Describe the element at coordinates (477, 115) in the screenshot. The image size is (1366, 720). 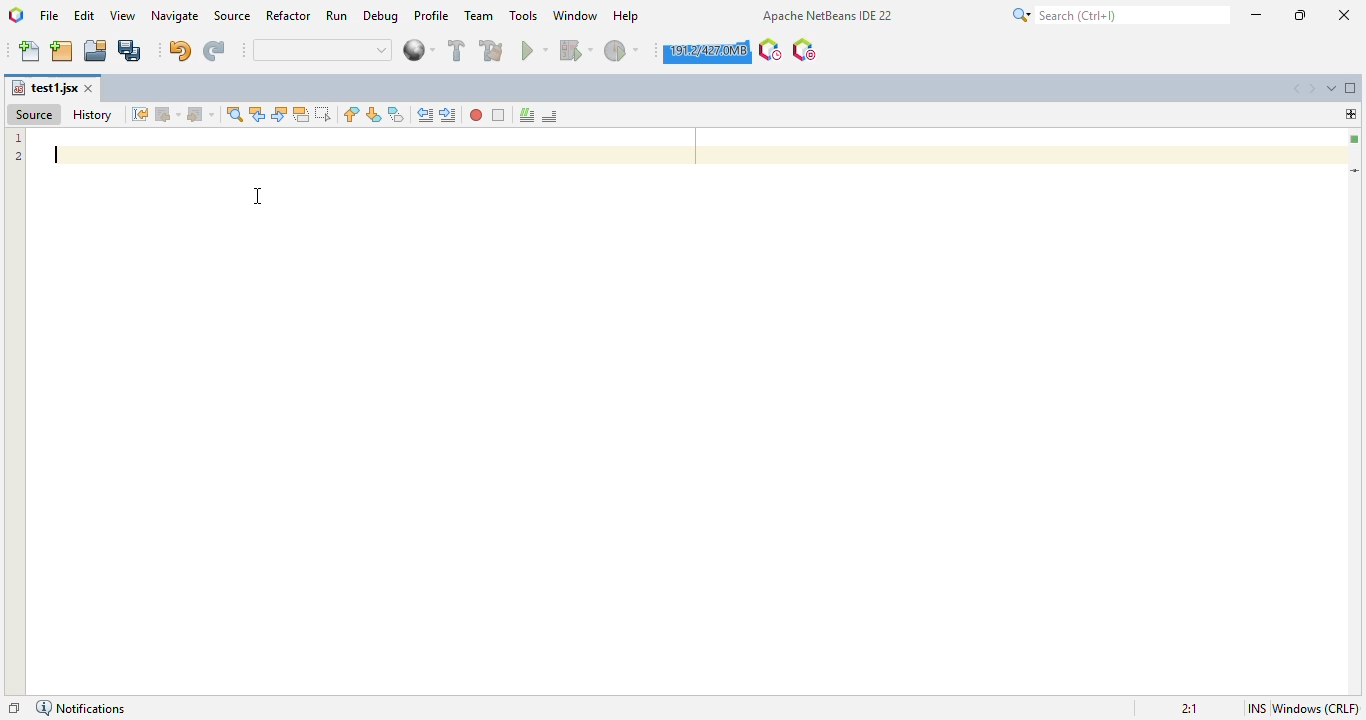
I see `start macro reading` at that location.